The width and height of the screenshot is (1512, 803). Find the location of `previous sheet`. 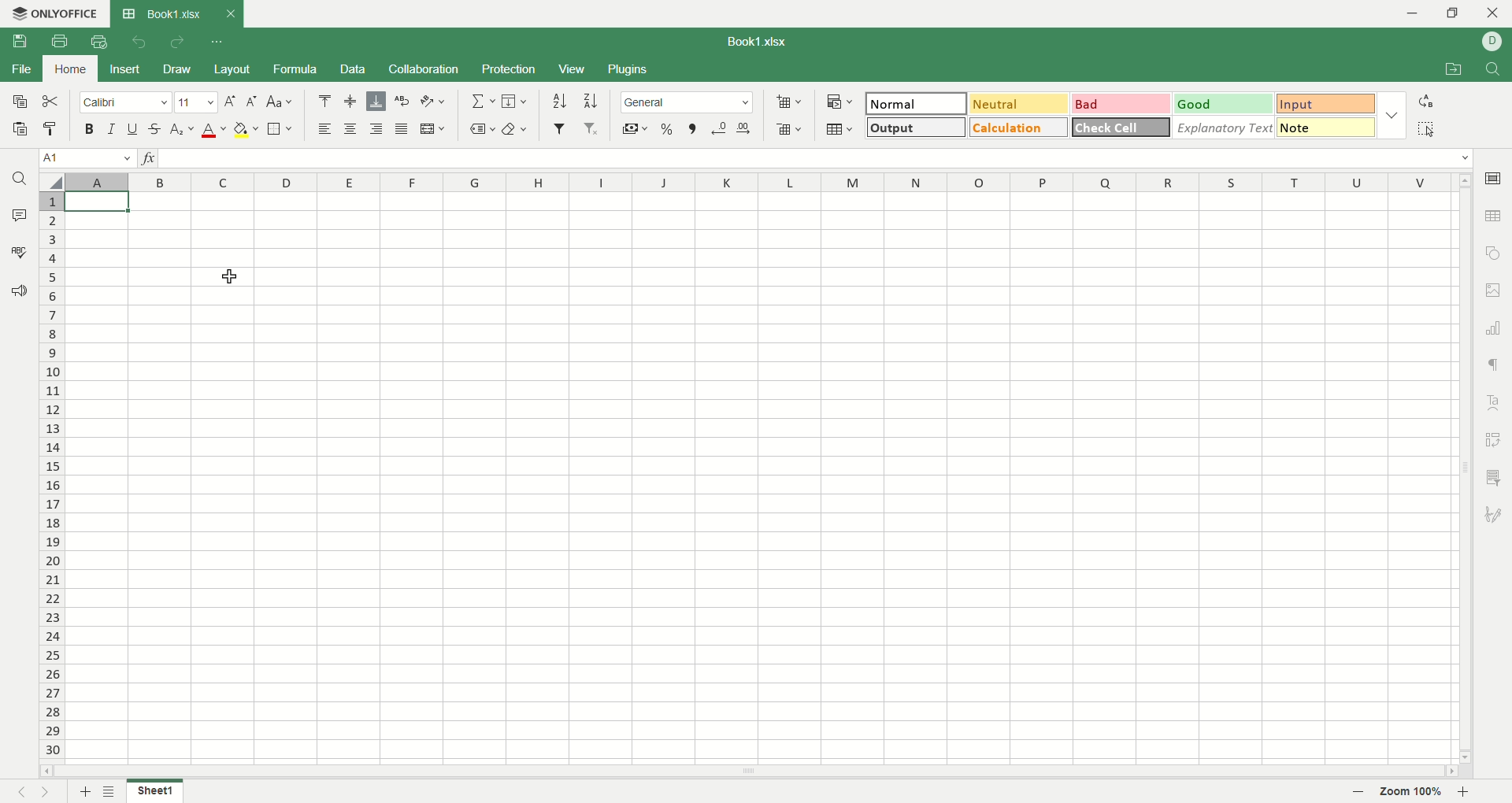

previous sheet is located at coordinates (15, 794).